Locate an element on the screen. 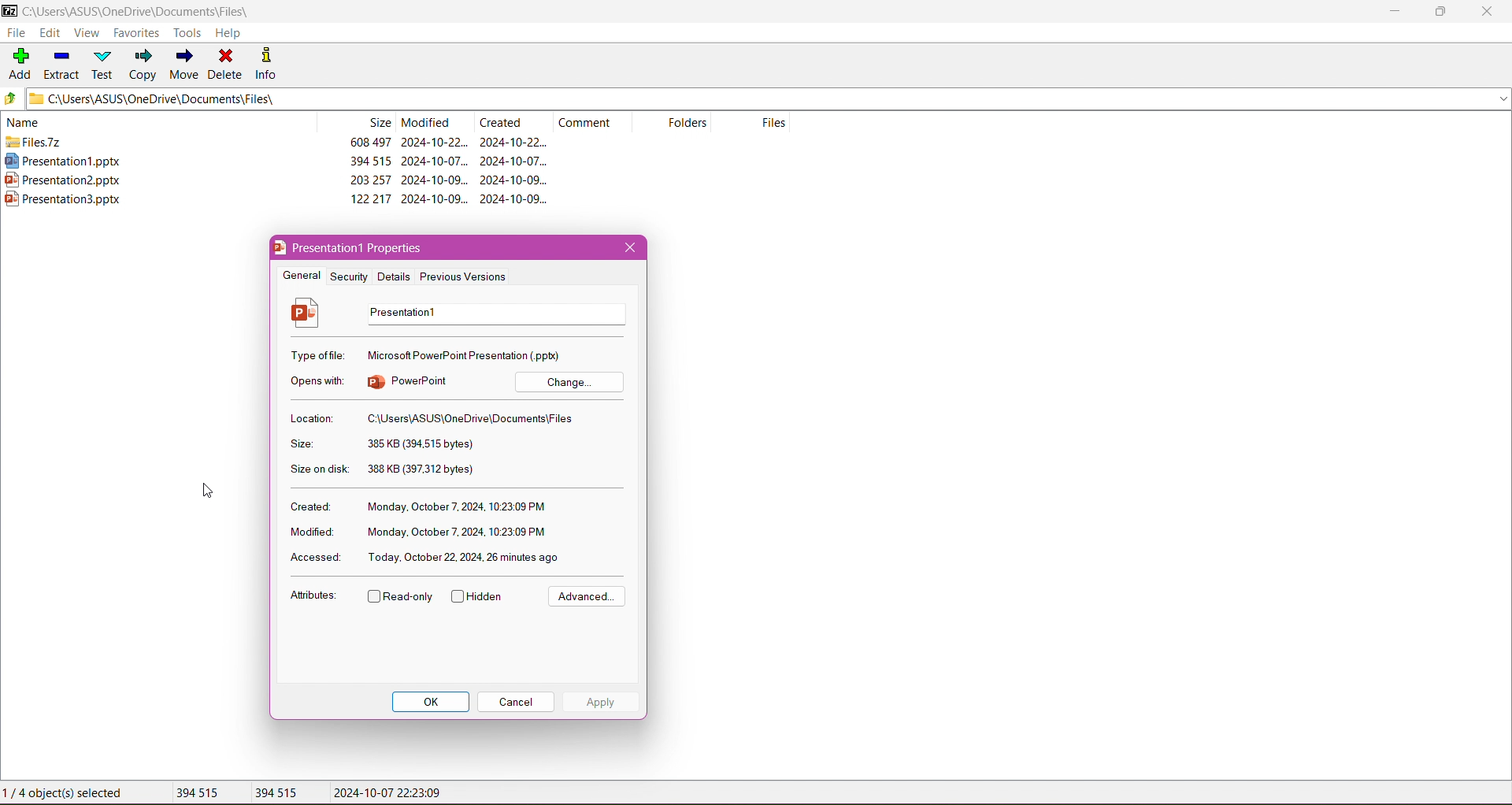  Type of File: is located at coordinates (321, 357).